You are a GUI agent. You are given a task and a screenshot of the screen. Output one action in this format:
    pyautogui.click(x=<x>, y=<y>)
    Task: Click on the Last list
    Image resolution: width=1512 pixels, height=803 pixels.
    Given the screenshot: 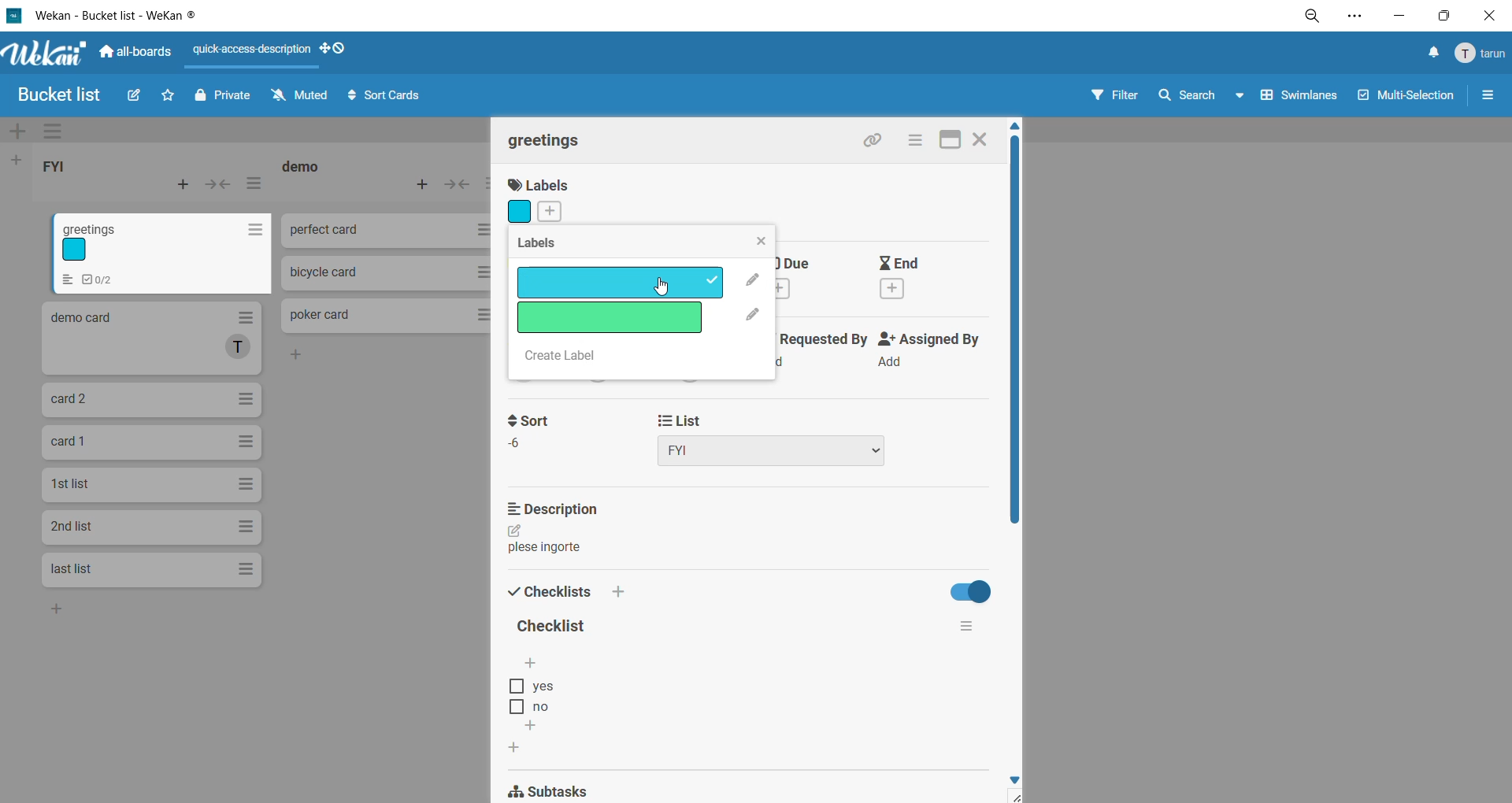 What is the action you would take?
    pyautogui.click(x=152, y=571)
    